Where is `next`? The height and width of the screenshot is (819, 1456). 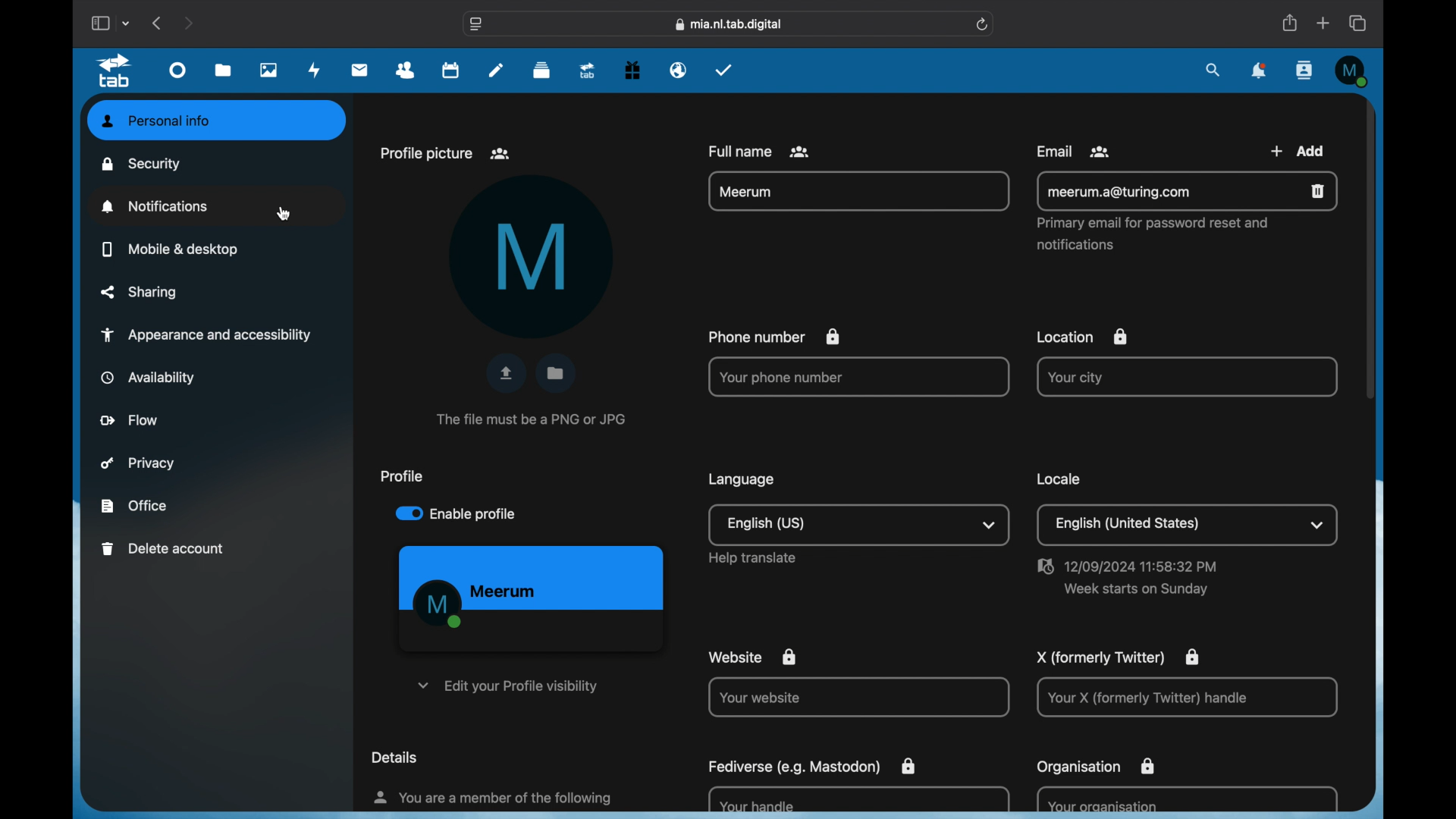 next is located at coordinates (190, 23).